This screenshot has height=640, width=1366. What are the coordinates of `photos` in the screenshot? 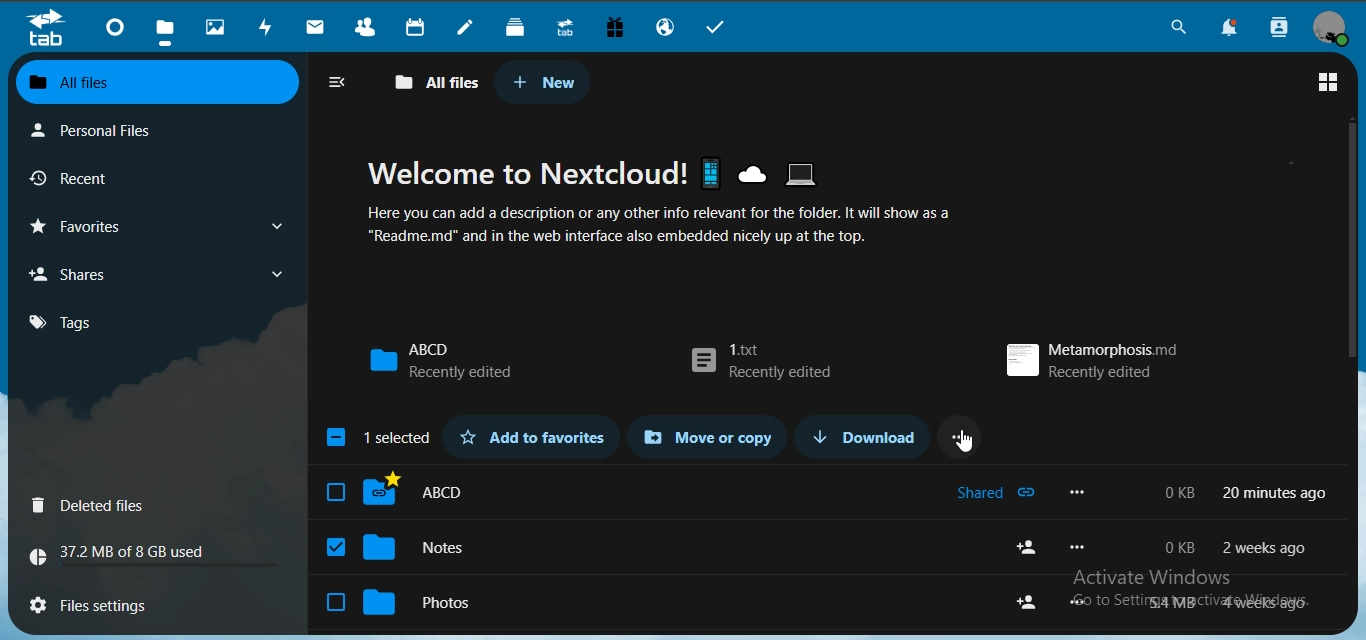 It's located at (215, 25).